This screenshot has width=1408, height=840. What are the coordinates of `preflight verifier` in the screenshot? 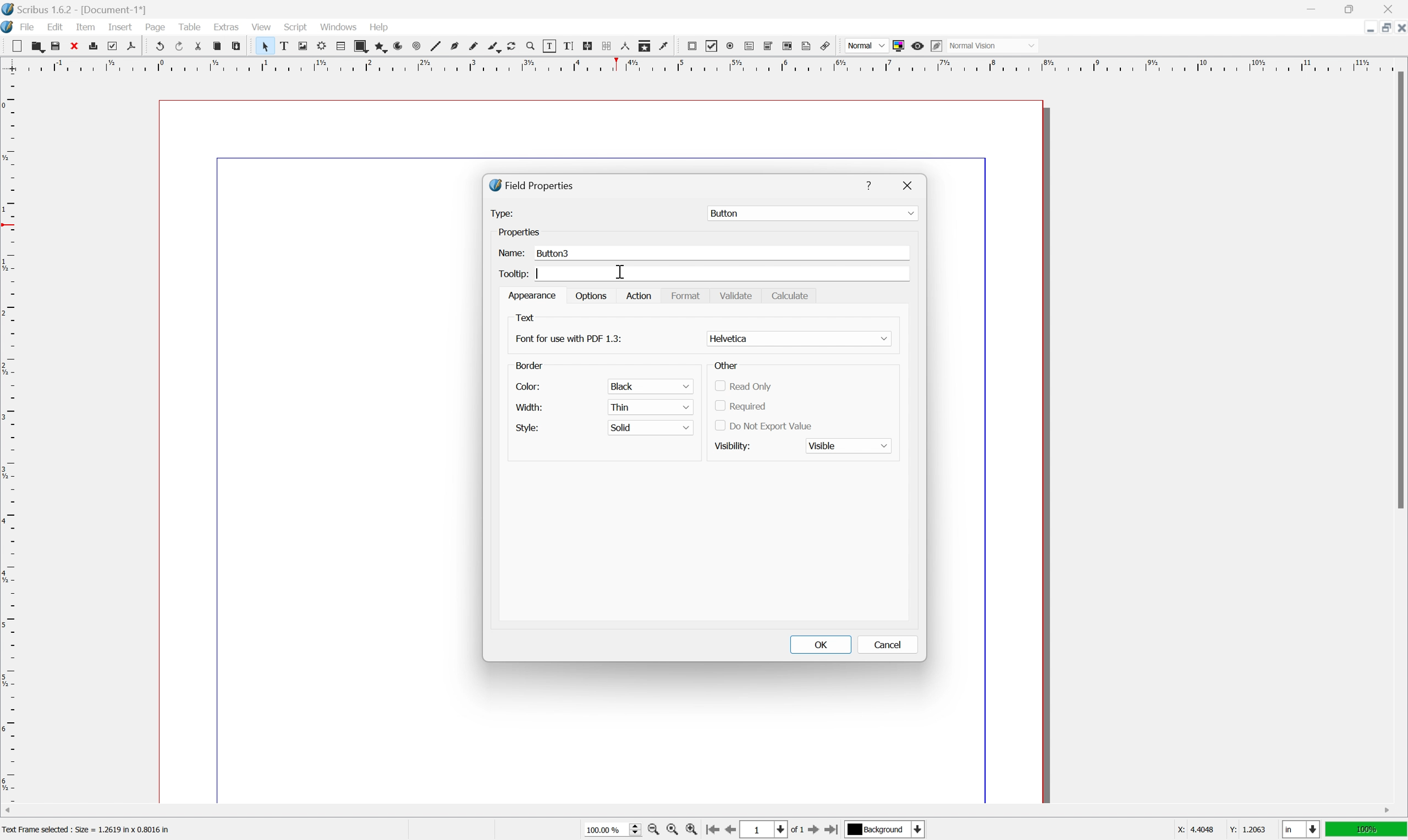 It's located at (112, 46).